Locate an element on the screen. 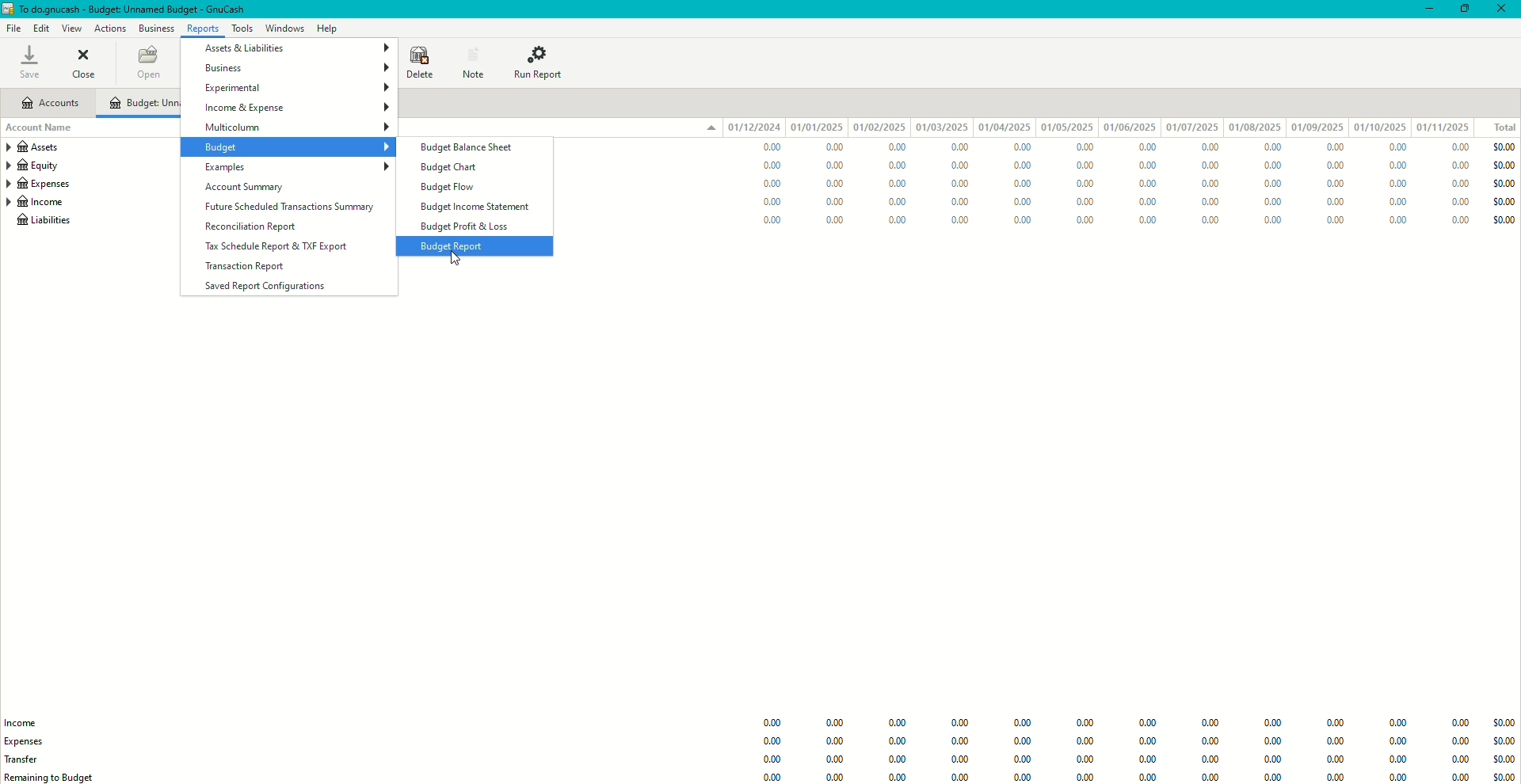 This screenshot has width=1521, height=784. 0.00 is located at coordinates (959, 723).